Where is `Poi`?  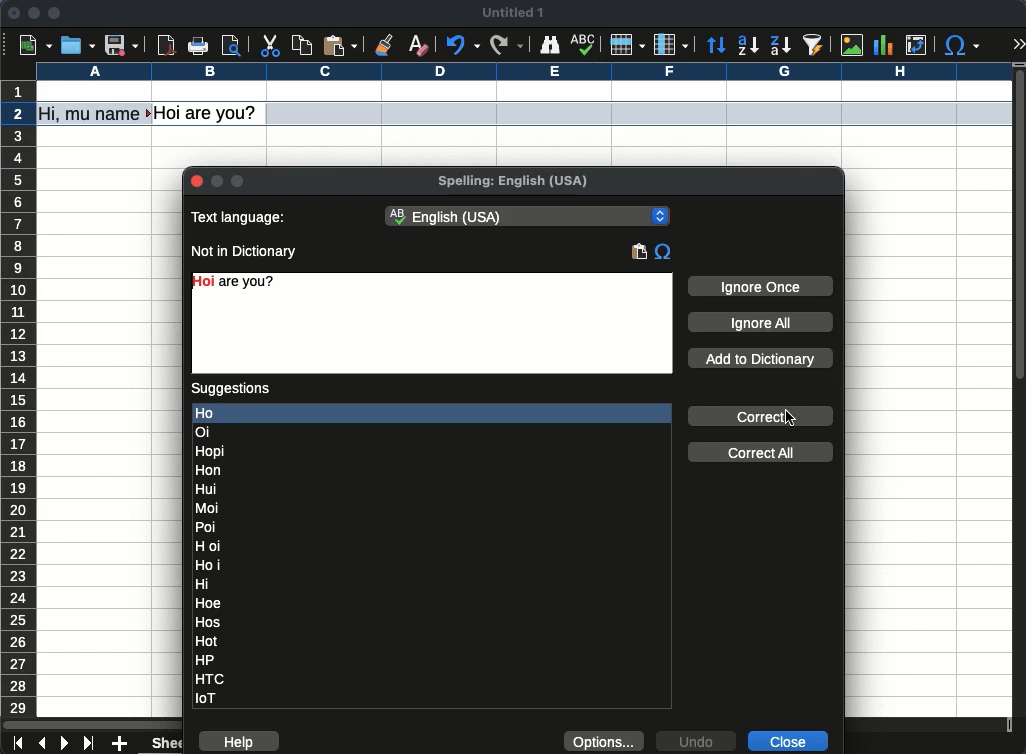
Poi is located at coordinates (207, 527).